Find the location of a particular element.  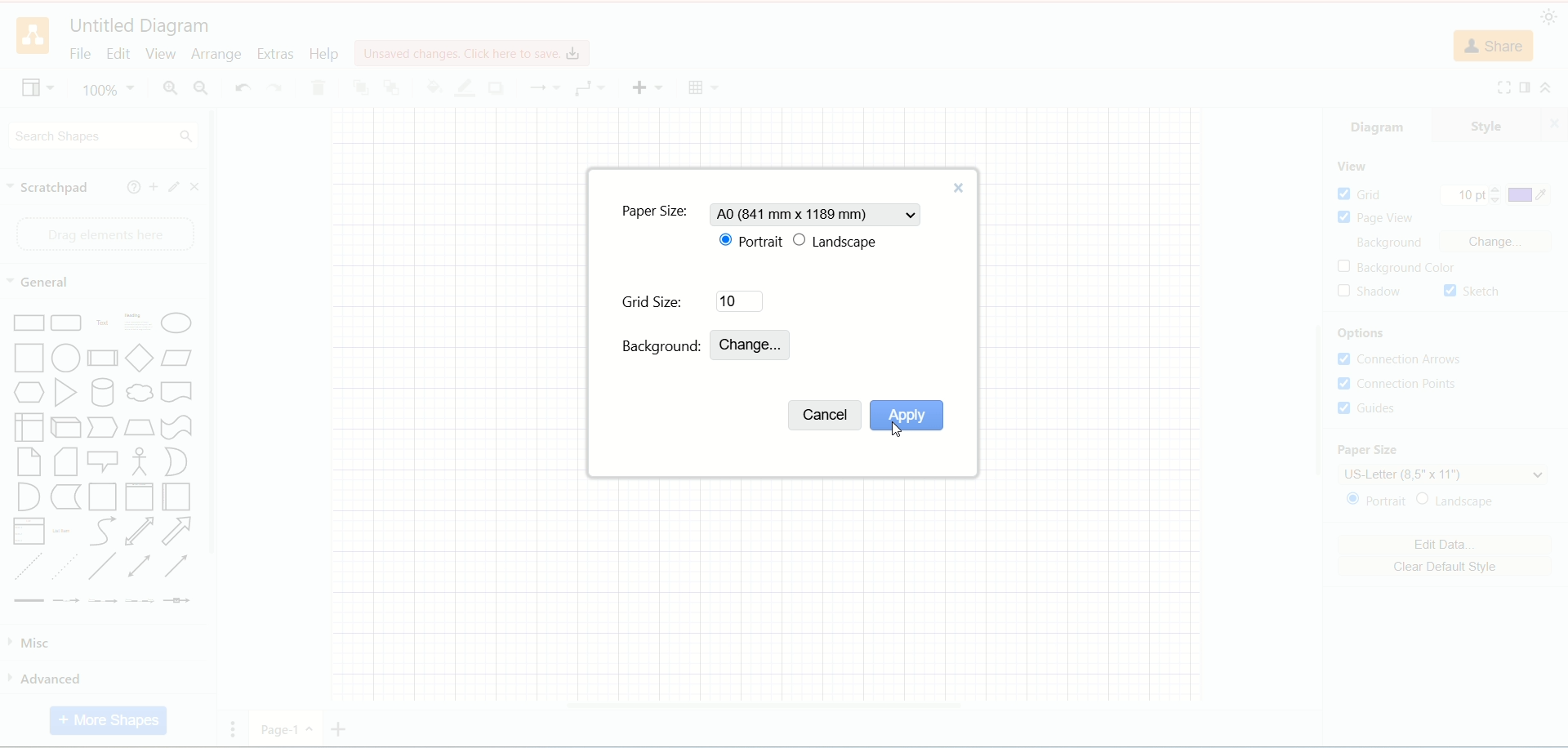

close is located at coordinates (957, 185).